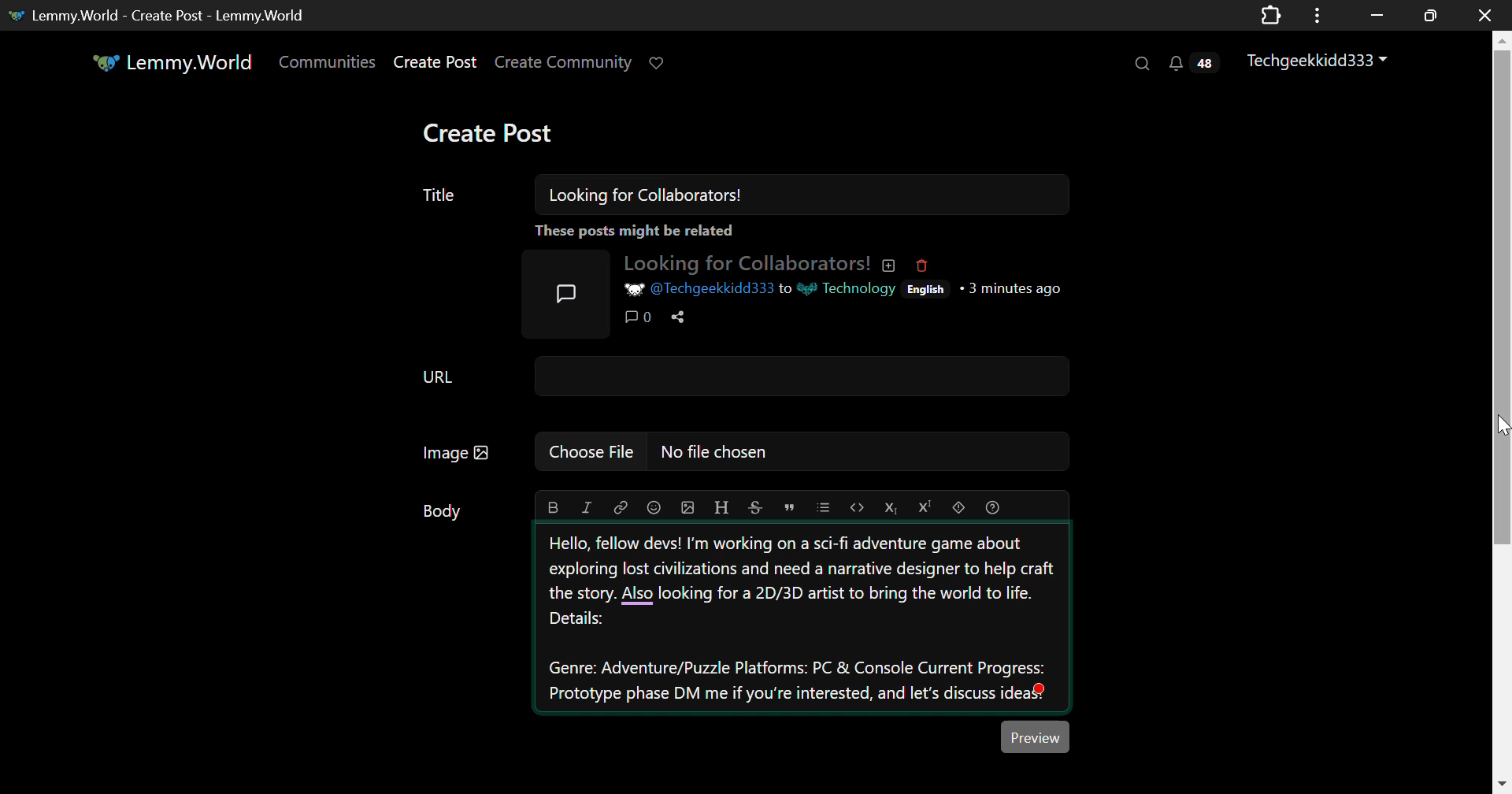 The height and width of the screenshot is (794, 1512). What do you see at coordinates (803, 621) in the screenshot?
I see `Hello, fellow devs! I'm working on a sci-fi adventure game about exploring lost civilizations and need a narrative designer to help craft the story. Also looking for a 2D/3D artist to bring the world to life. Details: Genre: Adventure/Puzzle Platforms: PC & Console Current Progress: Prototype phase DM me if you're interested, and let's discuss ideas.` at bounding box center [803, 621].